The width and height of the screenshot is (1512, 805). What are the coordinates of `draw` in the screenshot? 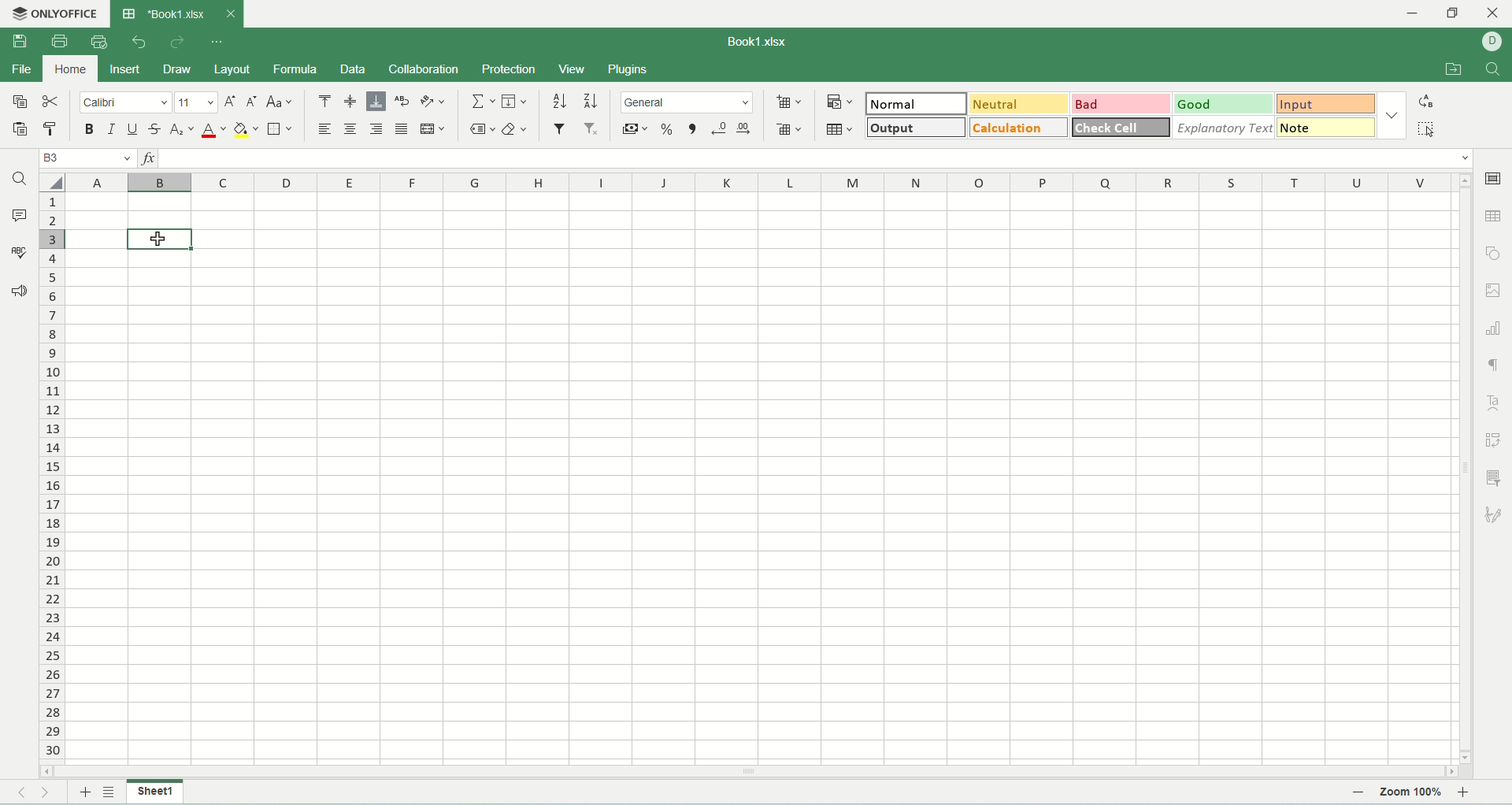 It's located at (176, 69).